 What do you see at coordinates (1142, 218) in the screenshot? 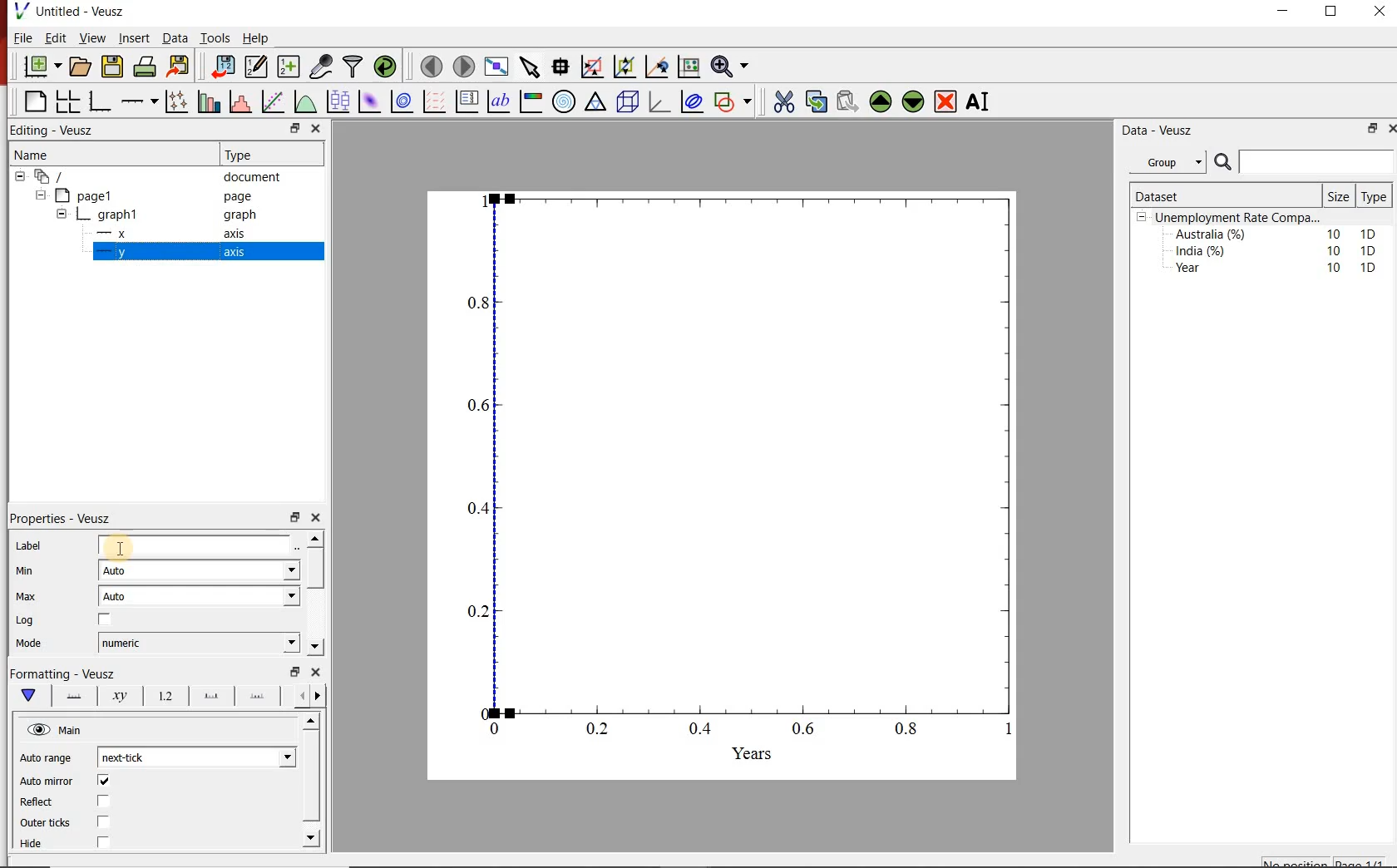
I see `collpase` at bounding box center [1142, 218].